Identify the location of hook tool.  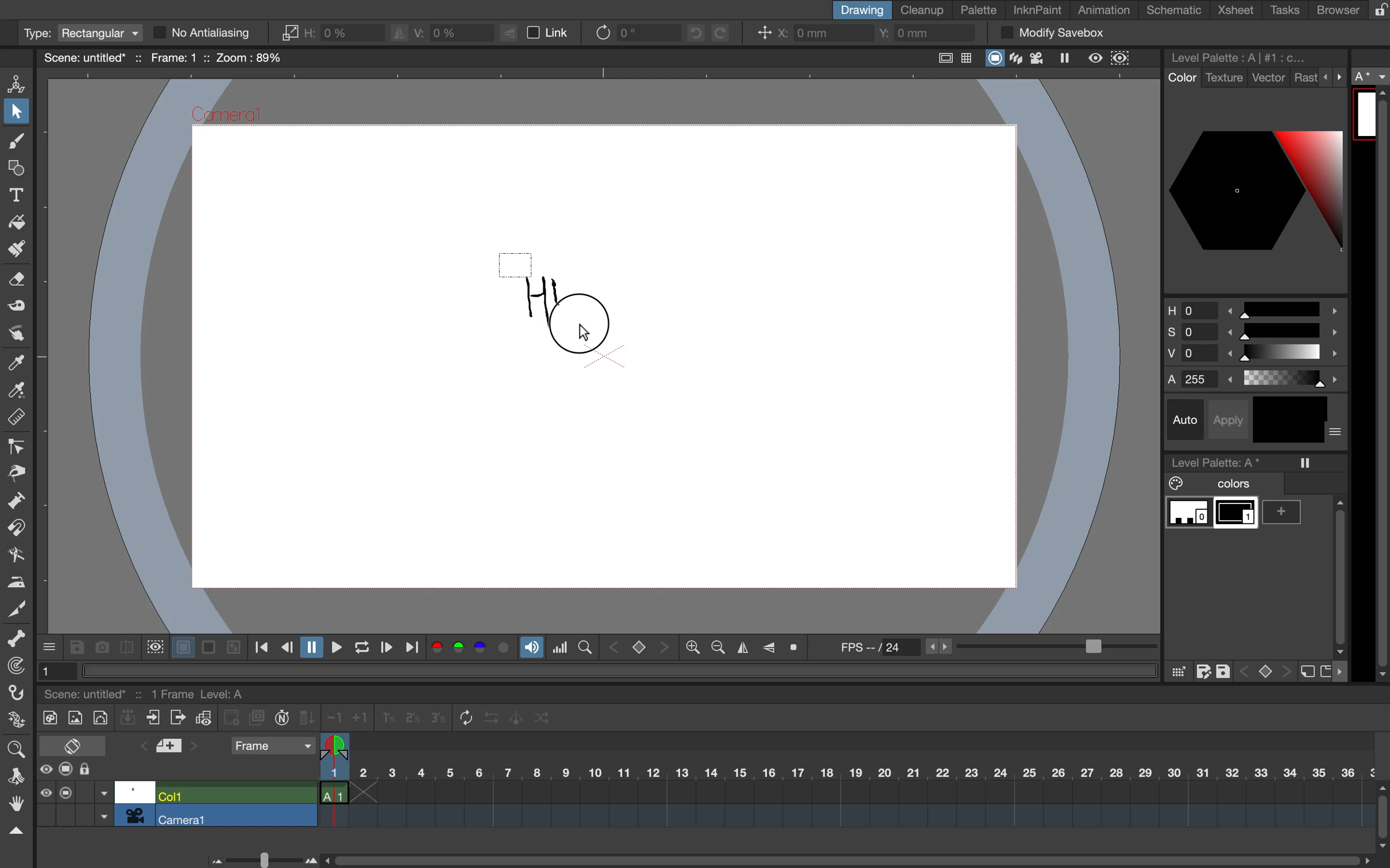
(18, 695).